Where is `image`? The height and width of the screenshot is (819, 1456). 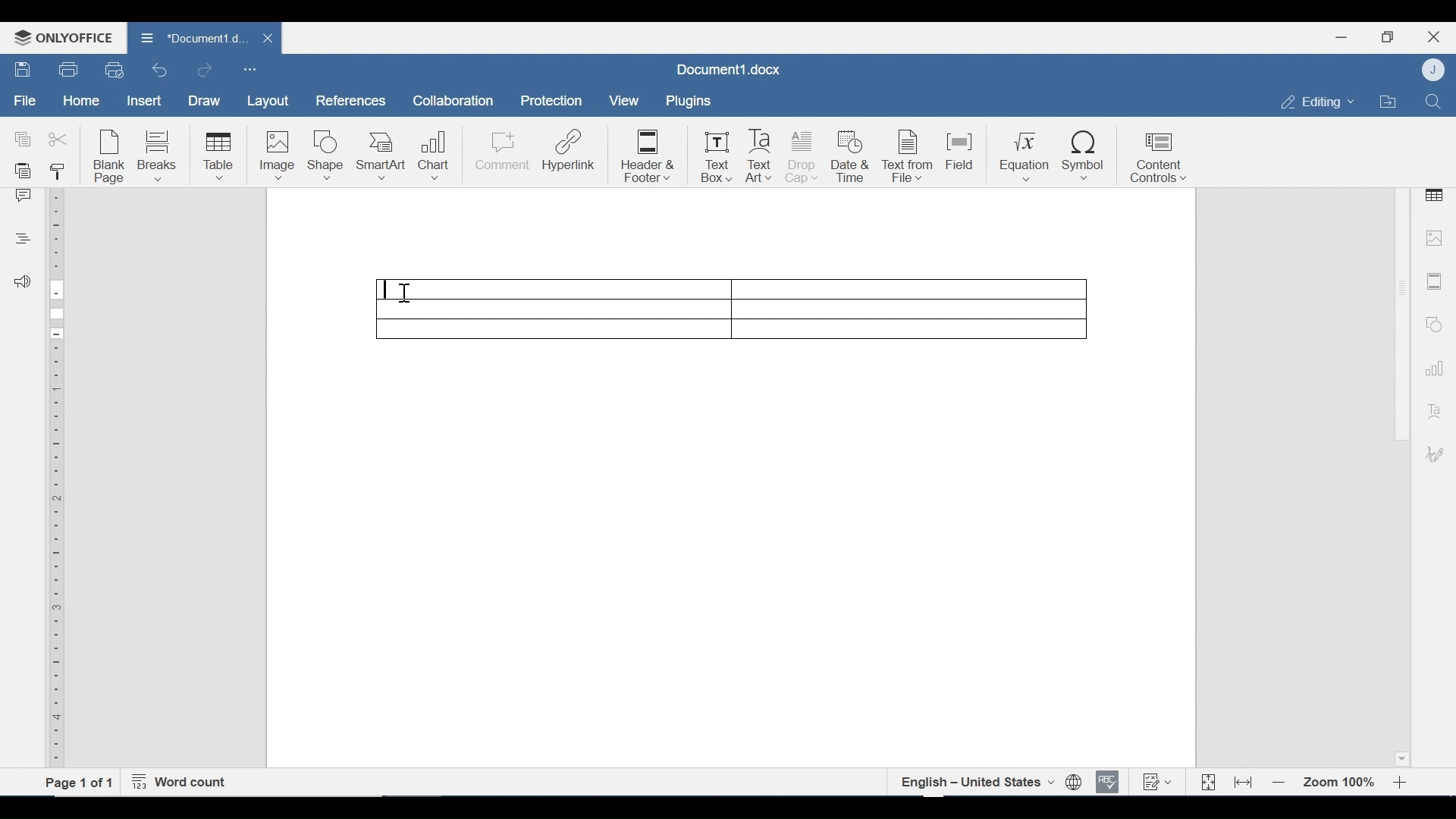 image is located at coordinates (1434, 237).